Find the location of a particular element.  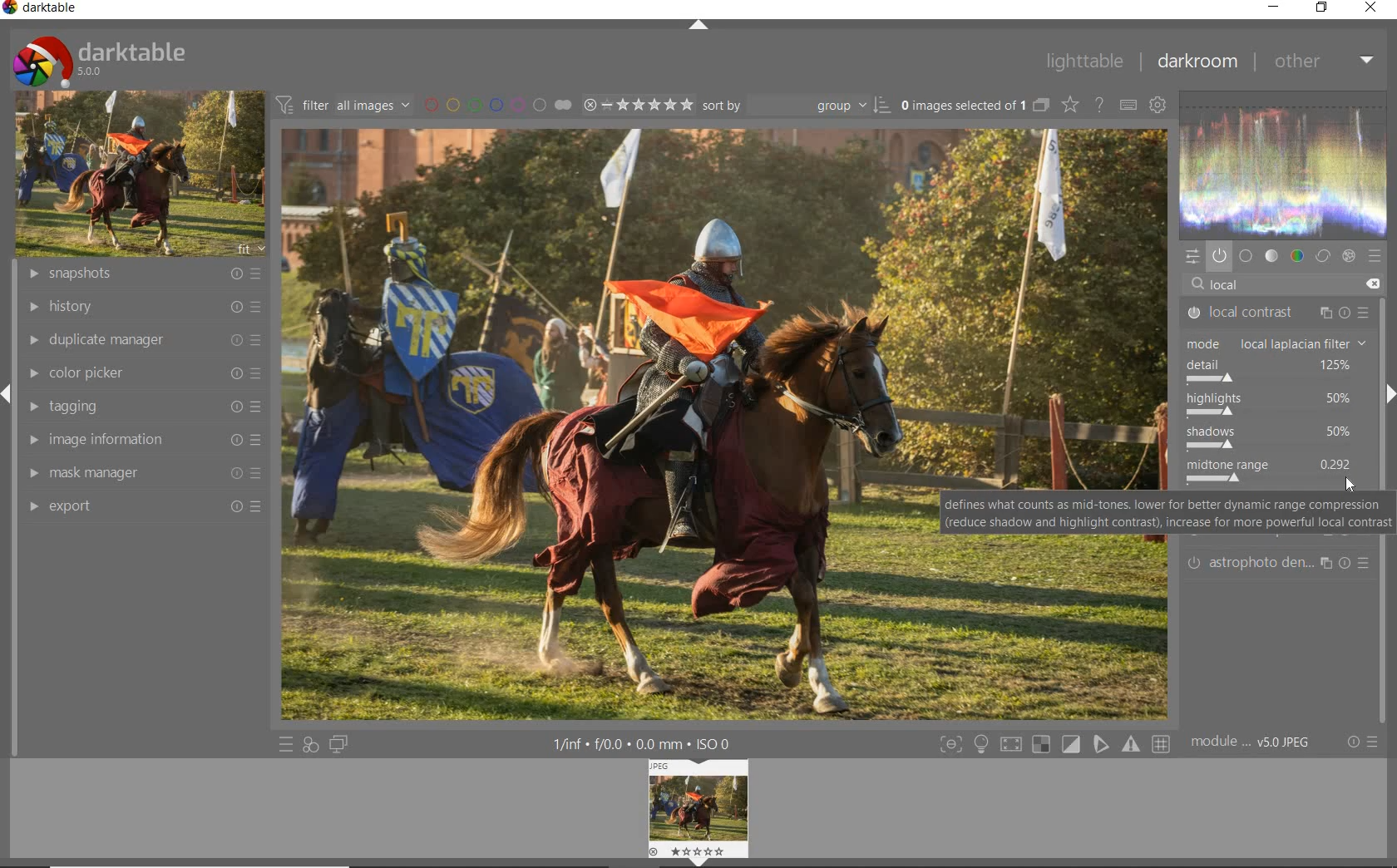

export is located at coordinates (140, 506).